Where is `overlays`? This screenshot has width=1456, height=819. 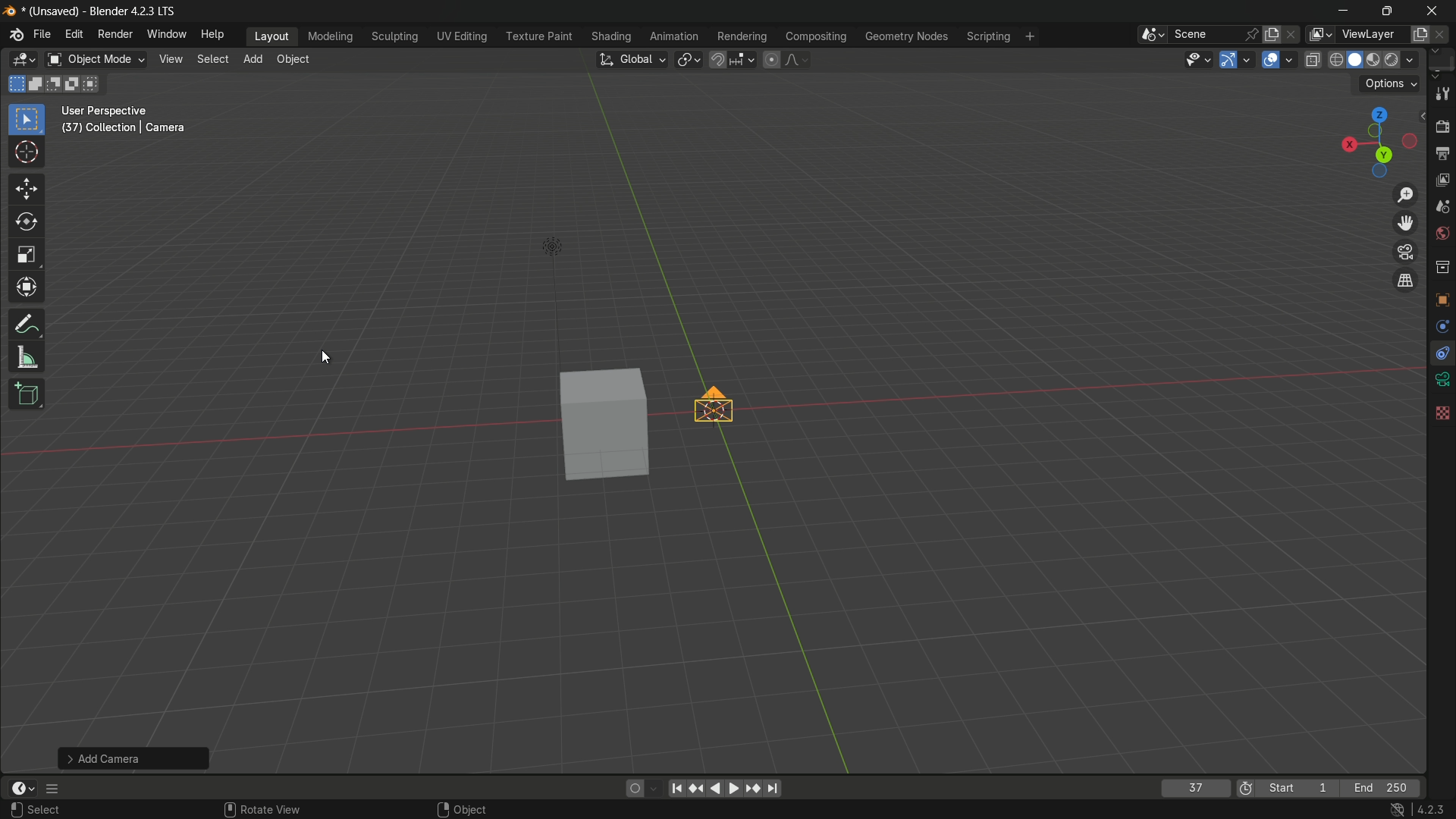
overlays is located at coordinates (1291, 59).